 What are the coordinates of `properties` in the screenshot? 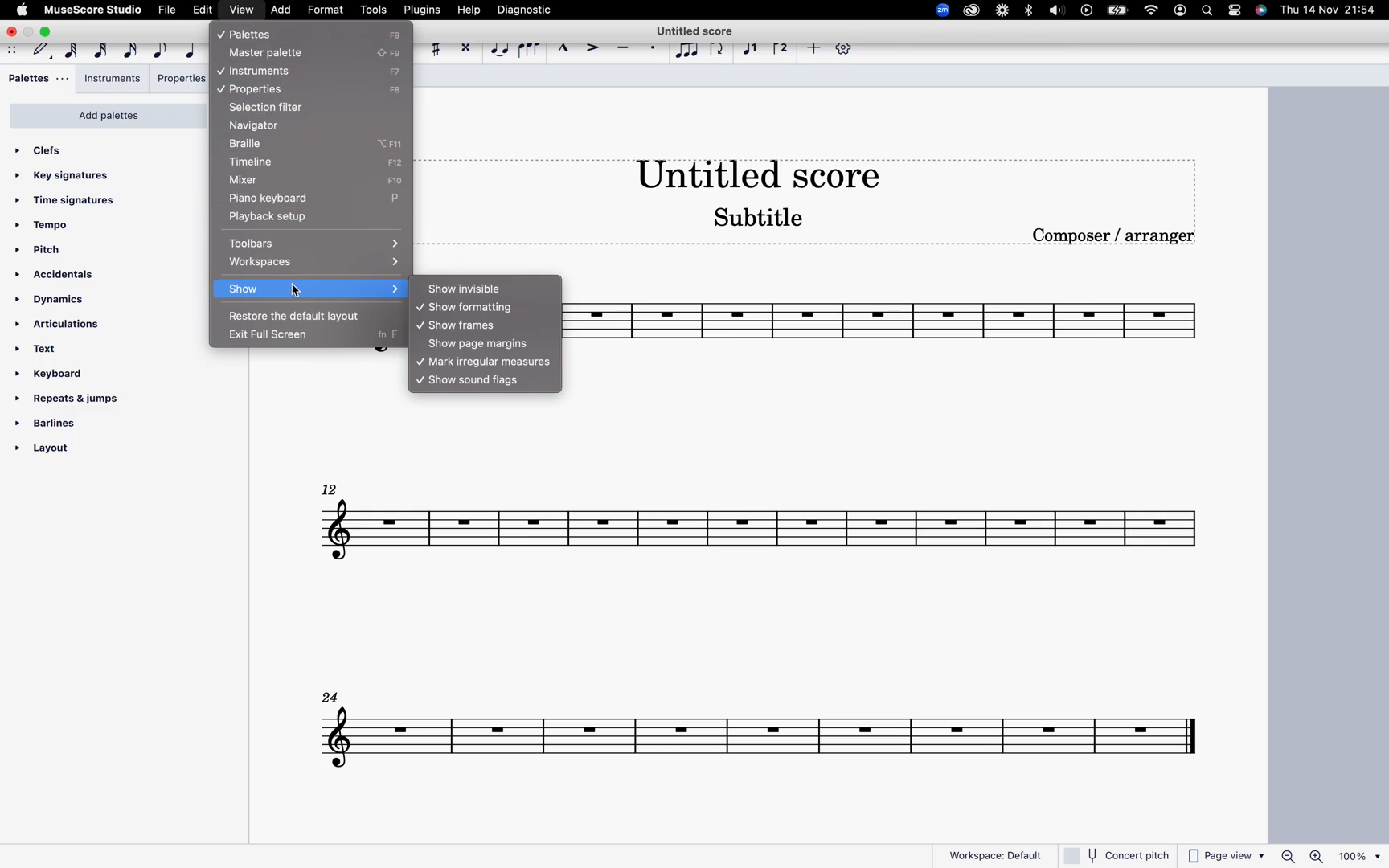 It's located at (178, 80).